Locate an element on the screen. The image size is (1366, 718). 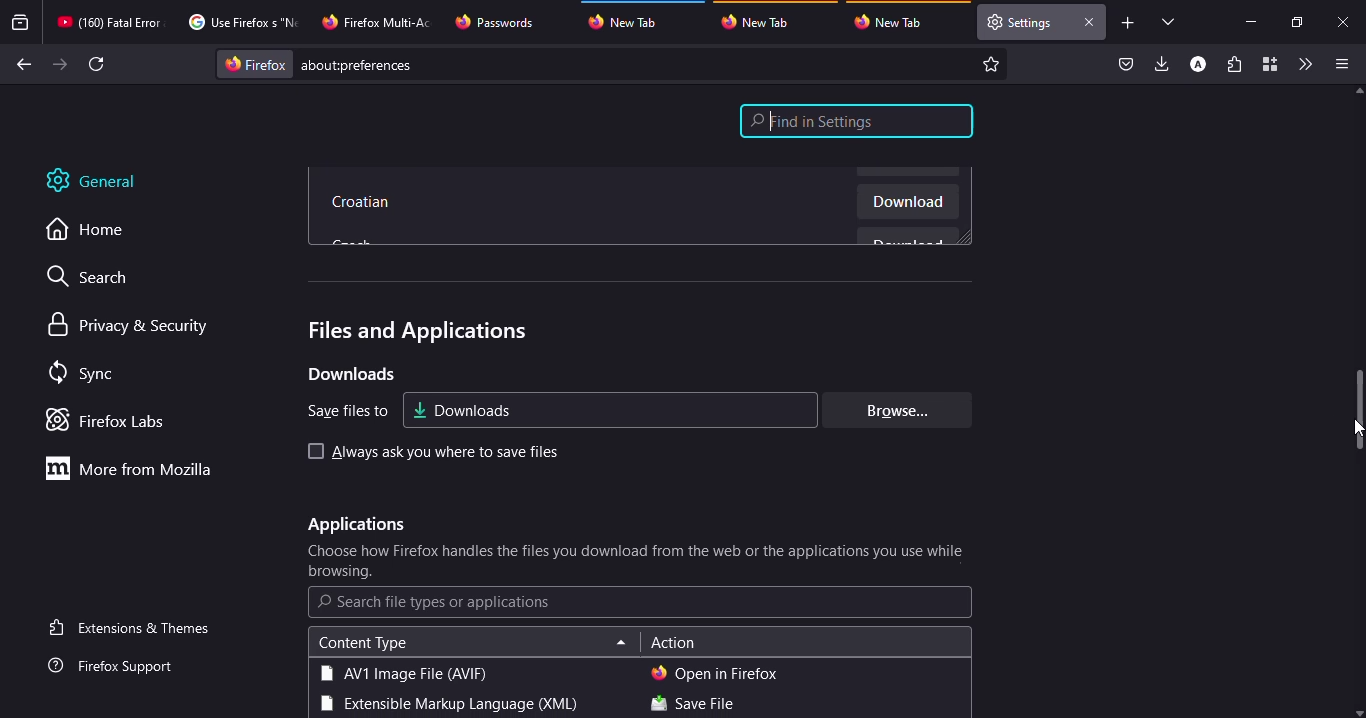
downloads is located at coordinates (1163, 63).